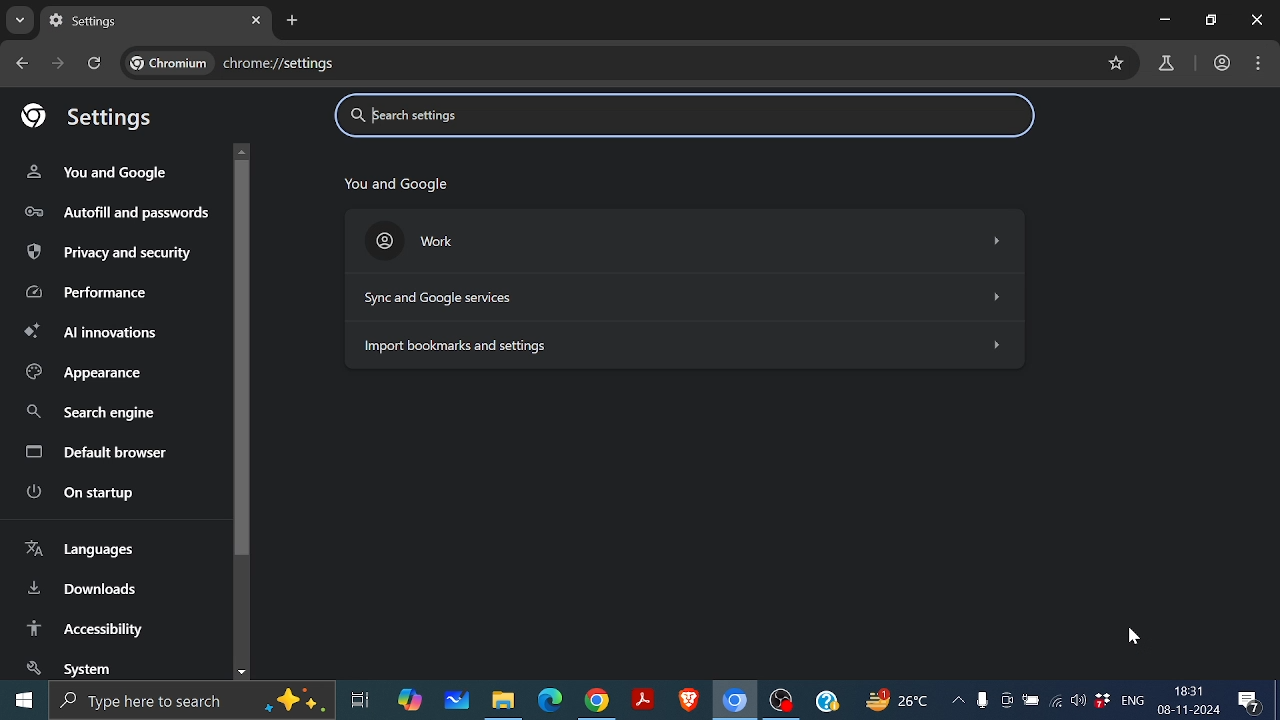 This screenshot has height=720, width=1280. What do you see at coordinates (681, 242) in the screenshot?
I see `Work` at bounding box center [681, 242].